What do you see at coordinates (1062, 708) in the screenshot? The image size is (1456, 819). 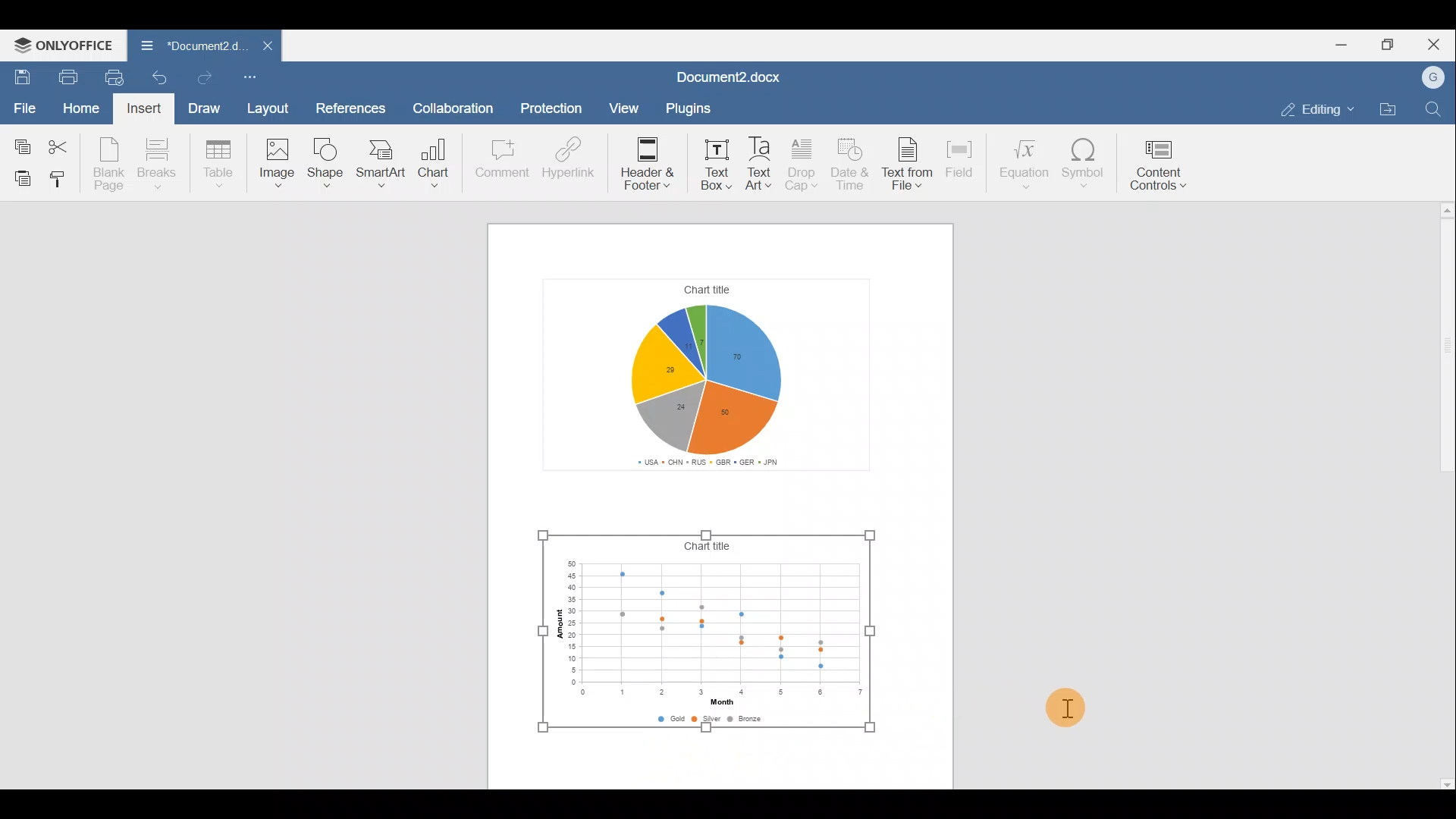 I see `Cursor` at bounding box center [1062, 708].